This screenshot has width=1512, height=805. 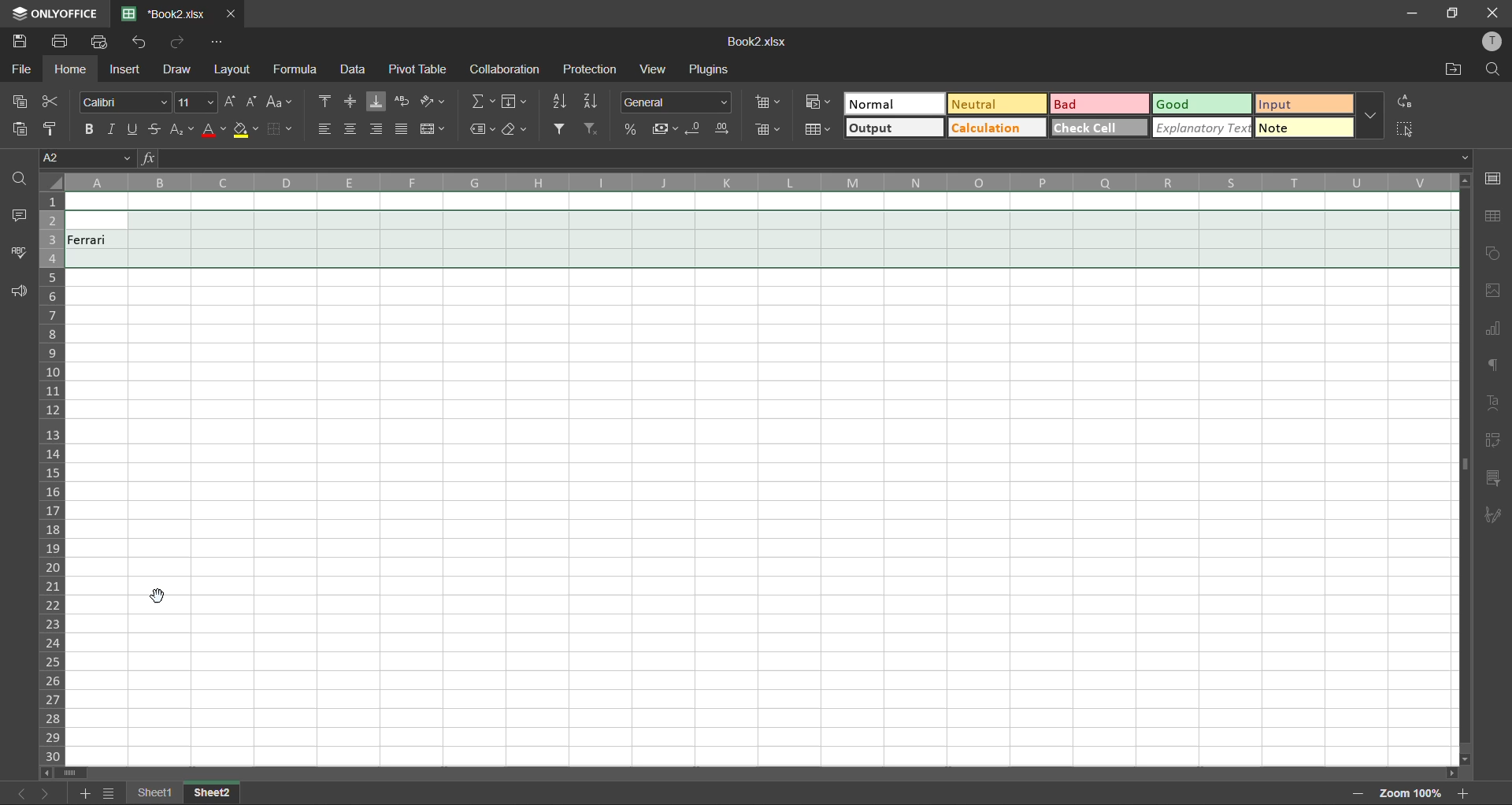 I want to click on pivot table, so click(x=417, y=69).